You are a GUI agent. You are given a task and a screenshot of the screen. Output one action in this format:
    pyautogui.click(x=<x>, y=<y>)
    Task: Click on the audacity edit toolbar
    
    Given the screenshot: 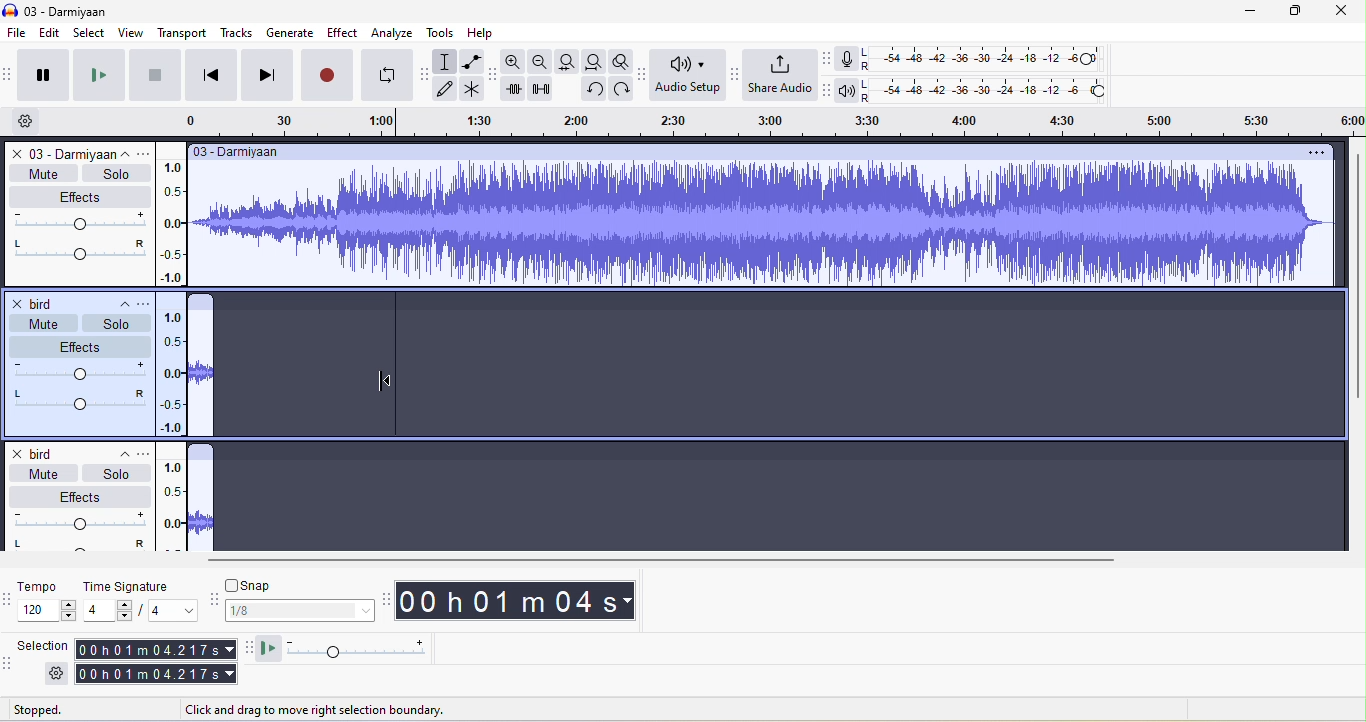 What is the action you would take?
    pyautogui.click(x=495, y=72)
    